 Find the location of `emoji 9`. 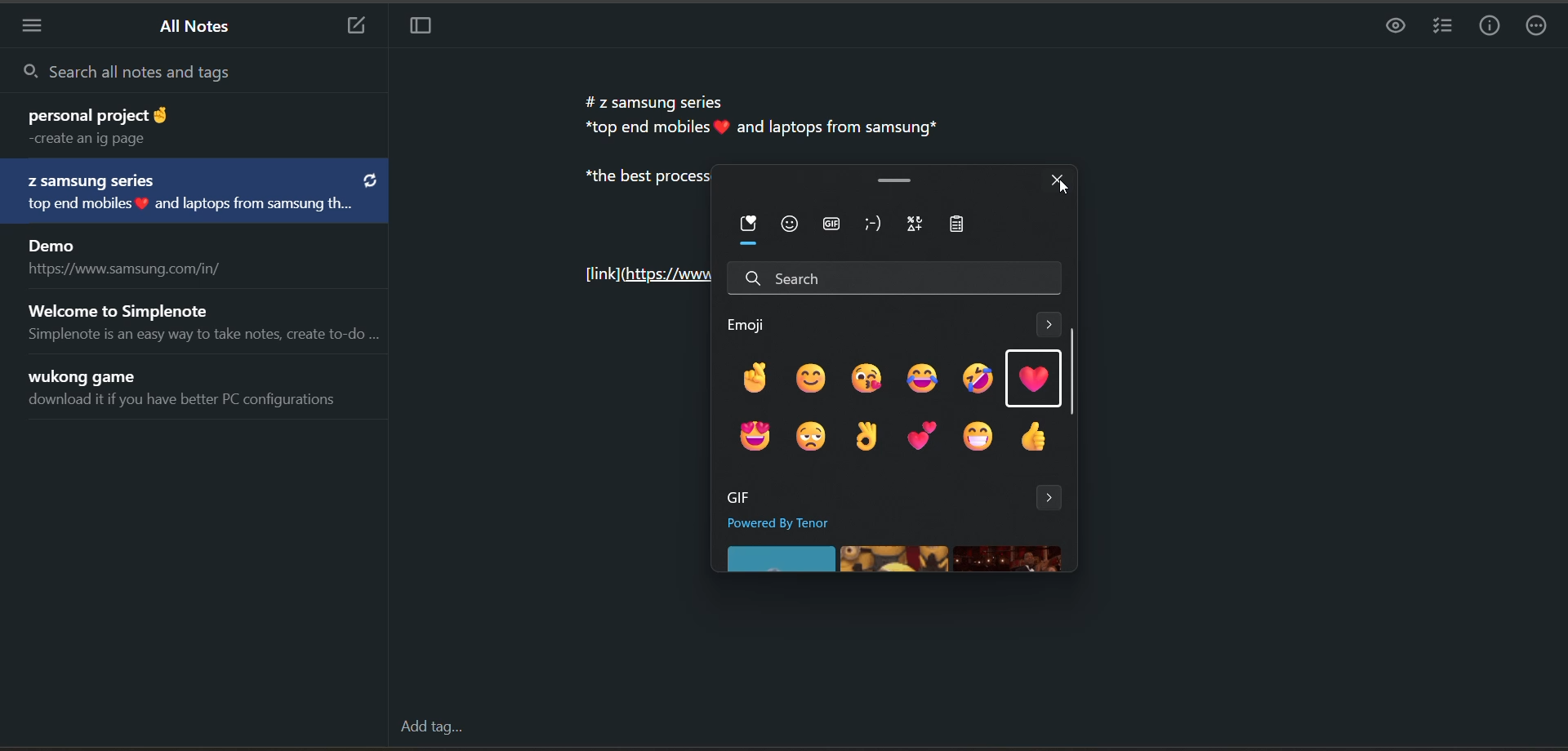

emoji 9 is located at coordinates (868, 438).